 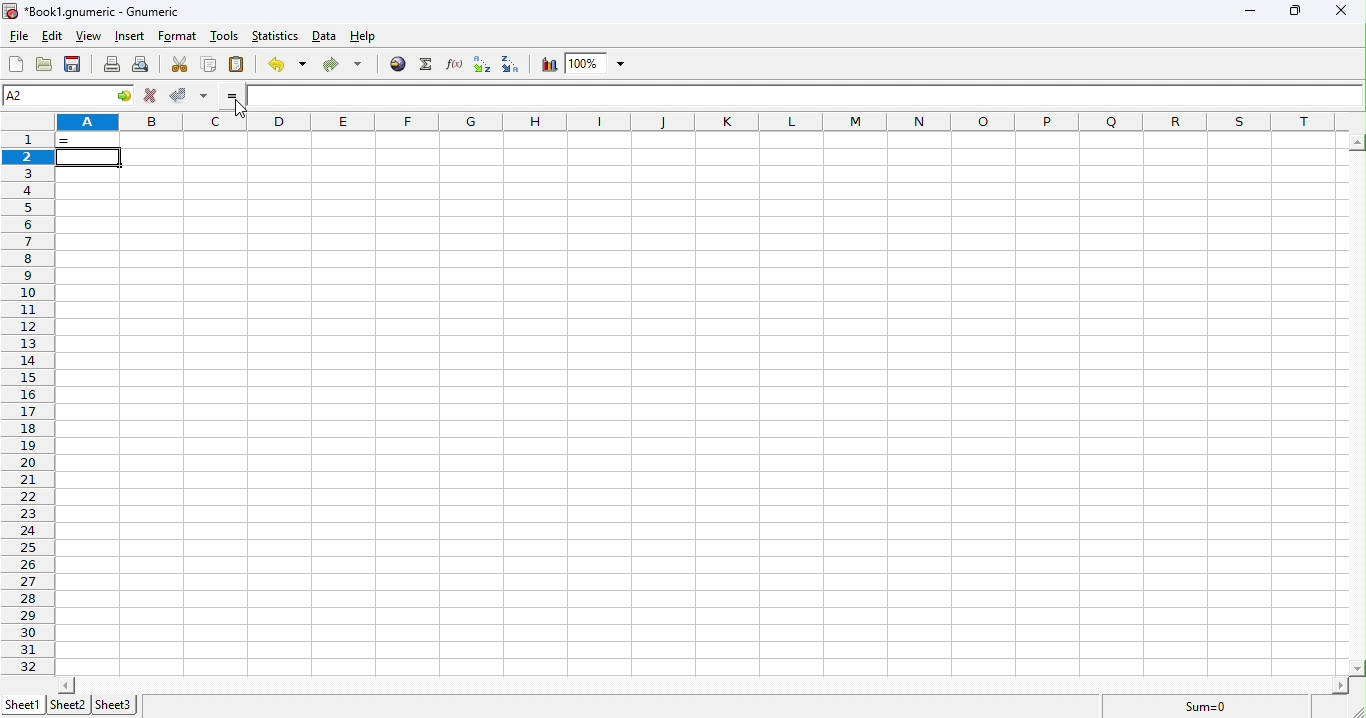 What do you see at coordinates (512, 65) in the screenshot?
I see `sort descending` at bounding box center [512, 65].